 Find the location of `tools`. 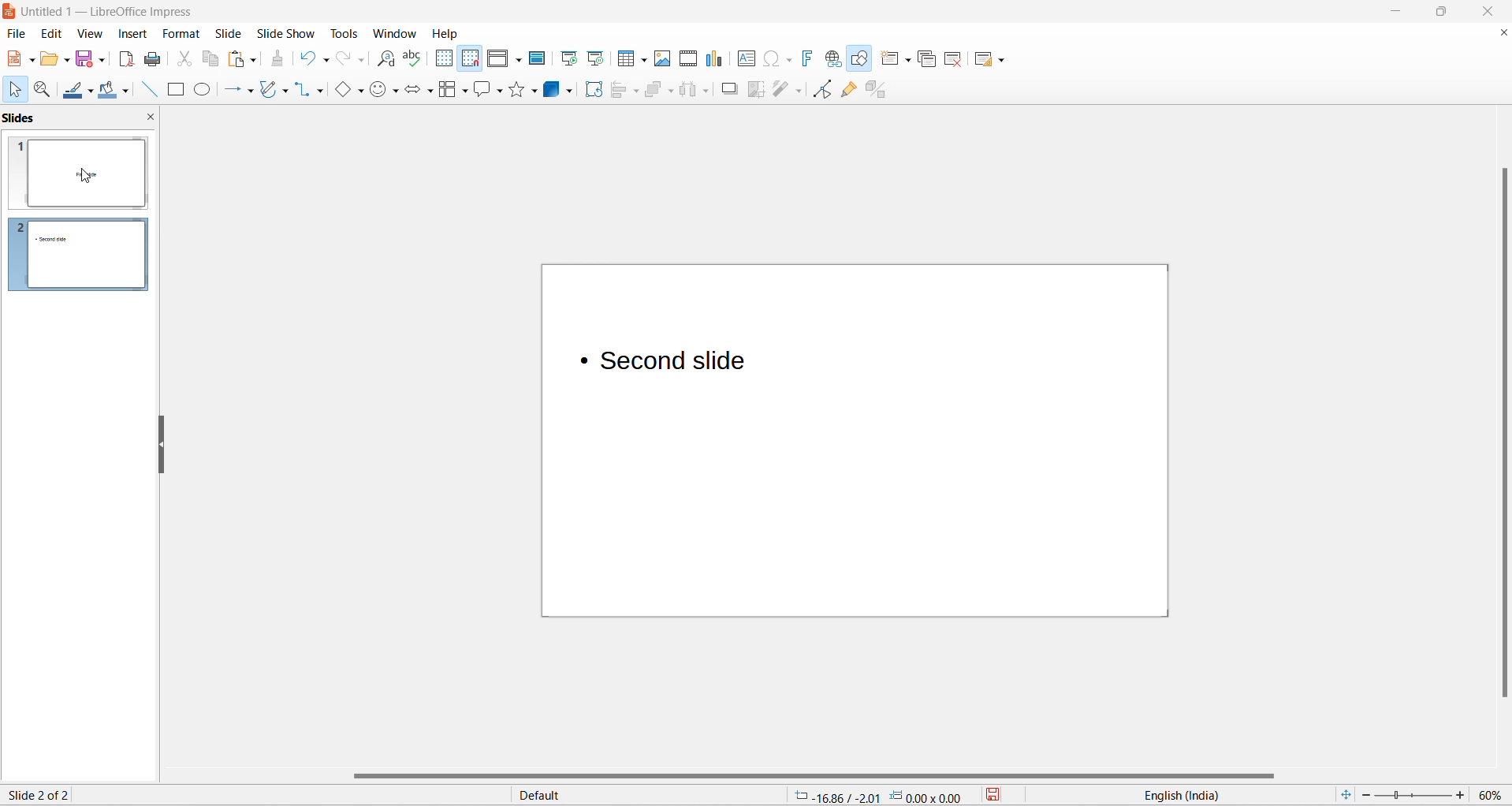

tools is located at coordinates (345, 32).